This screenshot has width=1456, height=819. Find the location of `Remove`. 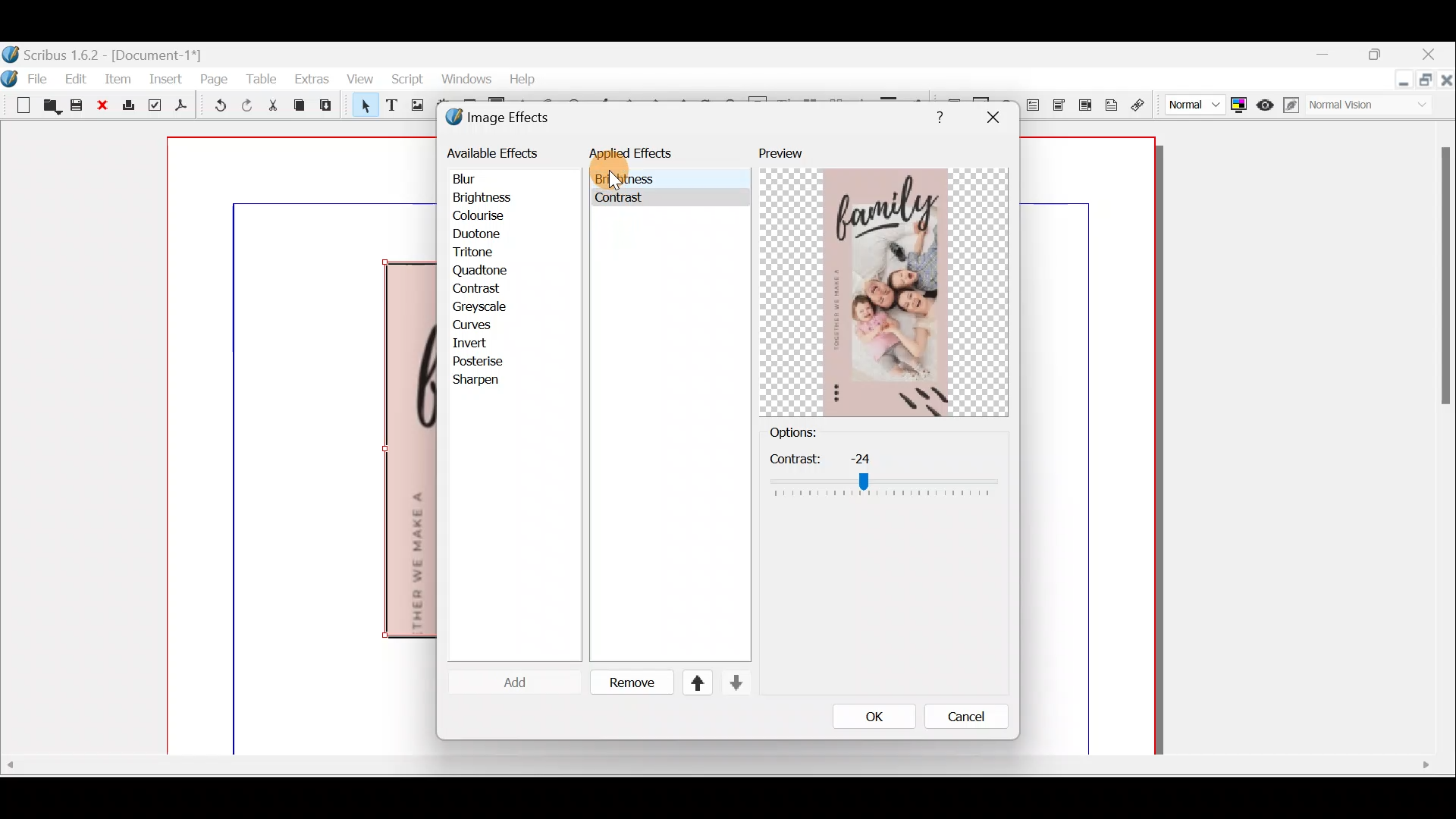

Remove is located at coordinates (626, 683).